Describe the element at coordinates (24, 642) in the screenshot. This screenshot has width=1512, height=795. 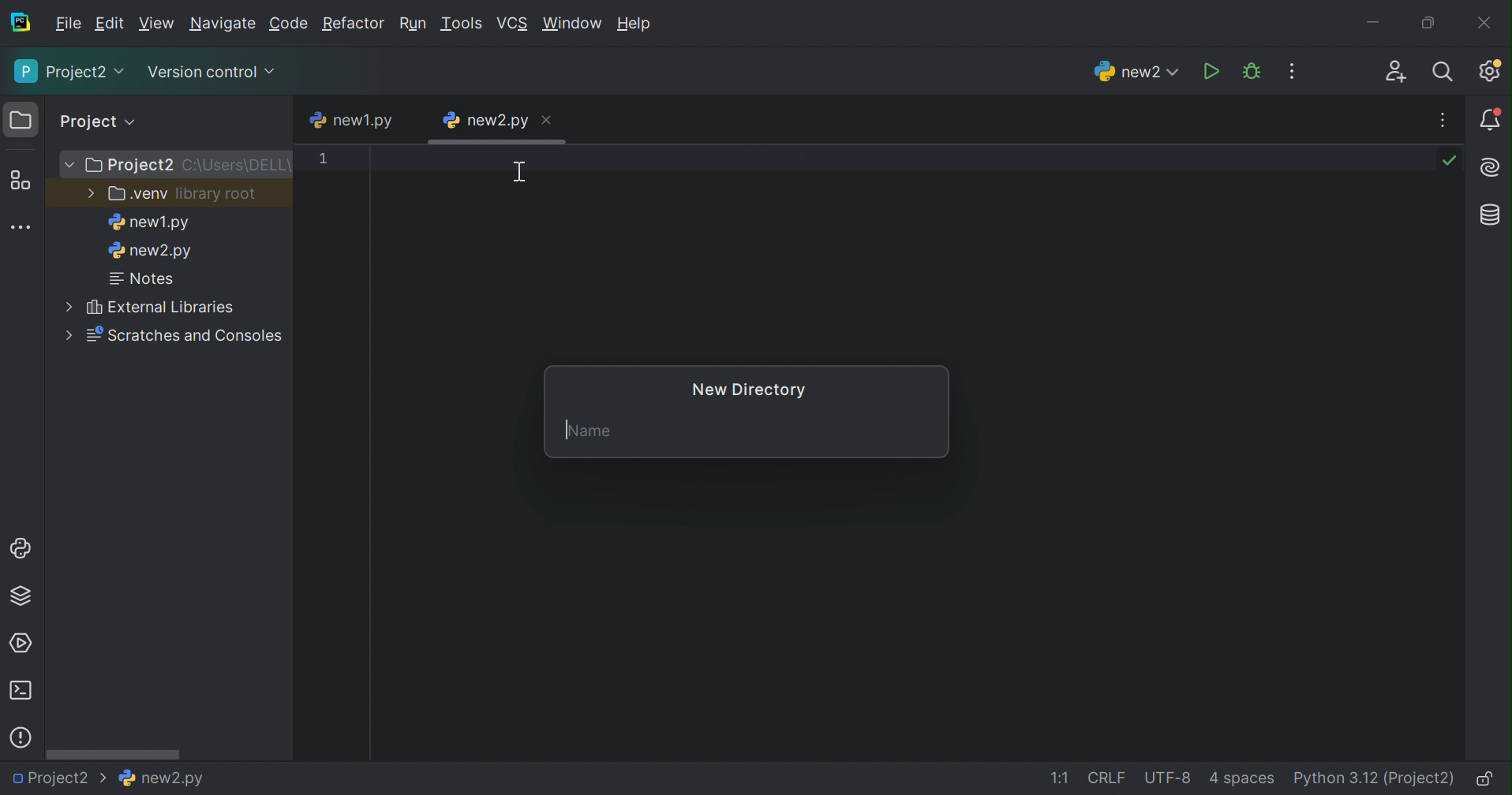
I see `Services` at that location.